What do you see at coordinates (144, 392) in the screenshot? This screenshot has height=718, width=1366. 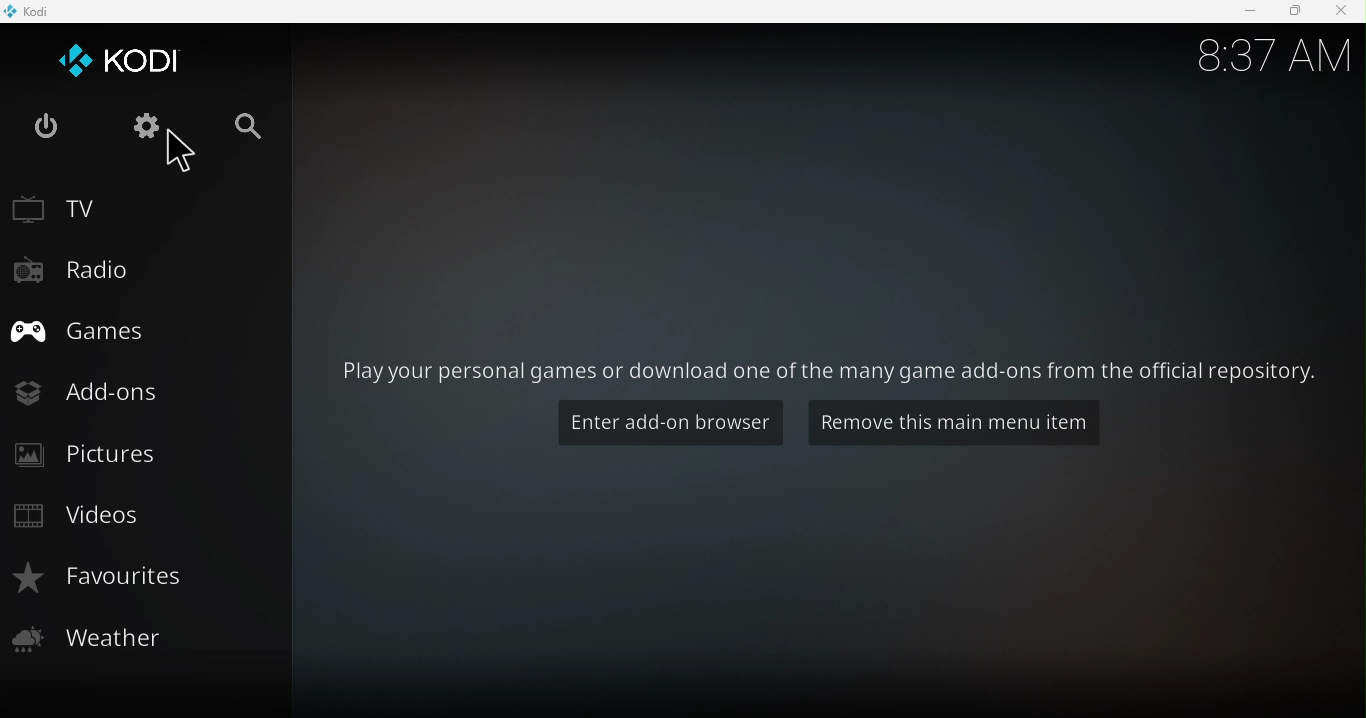 I see `Add-ons` at bounding box center [144, 392].